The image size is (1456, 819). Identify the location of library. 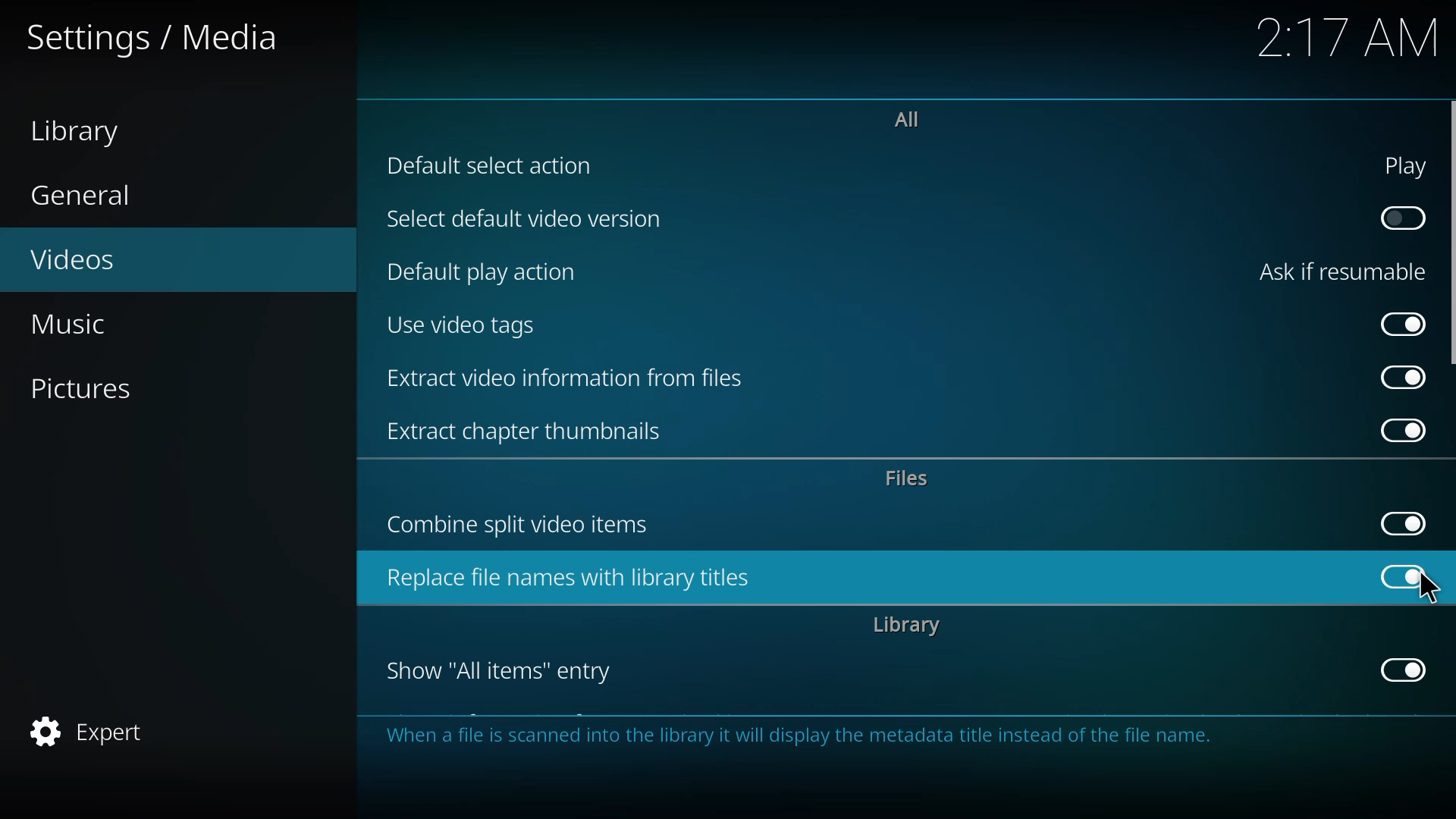
(83, 130).